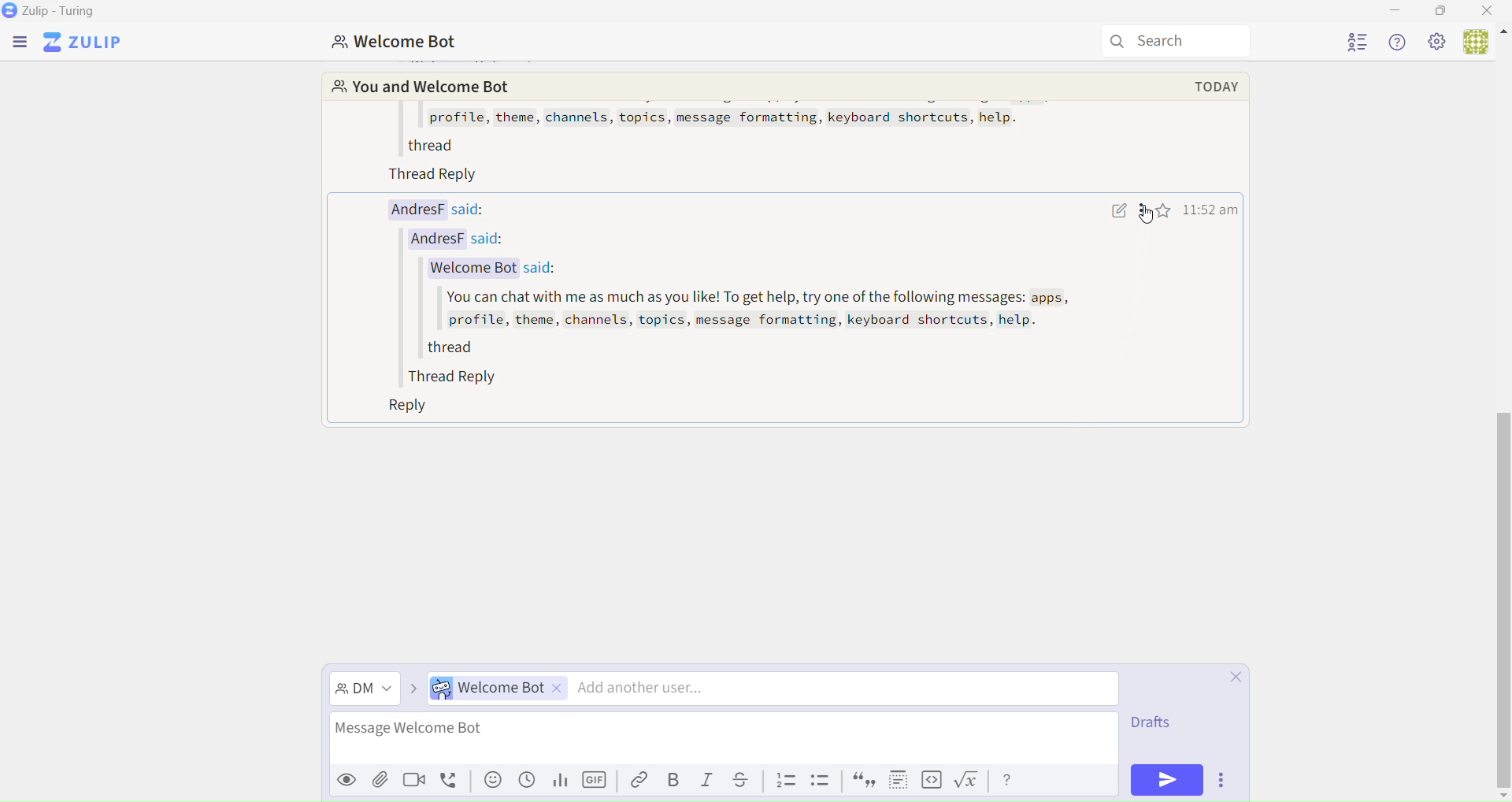 This screenshot has height=802, width=1512. Describe the element at coordinates (768, 689) in the screenshot. I see `Direct Message` at that location.